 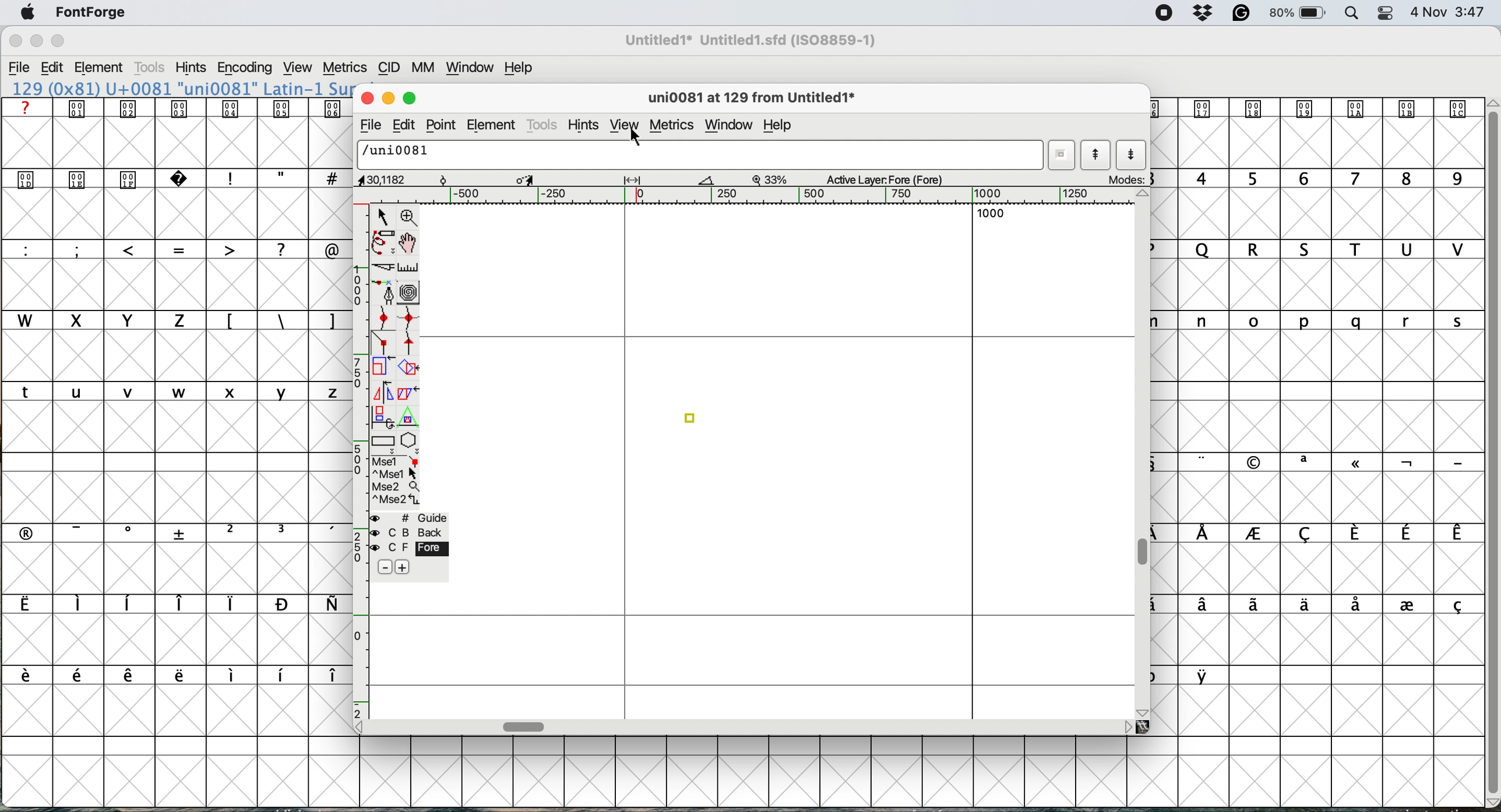 I want to click on selections, so click(x=398, y=482).